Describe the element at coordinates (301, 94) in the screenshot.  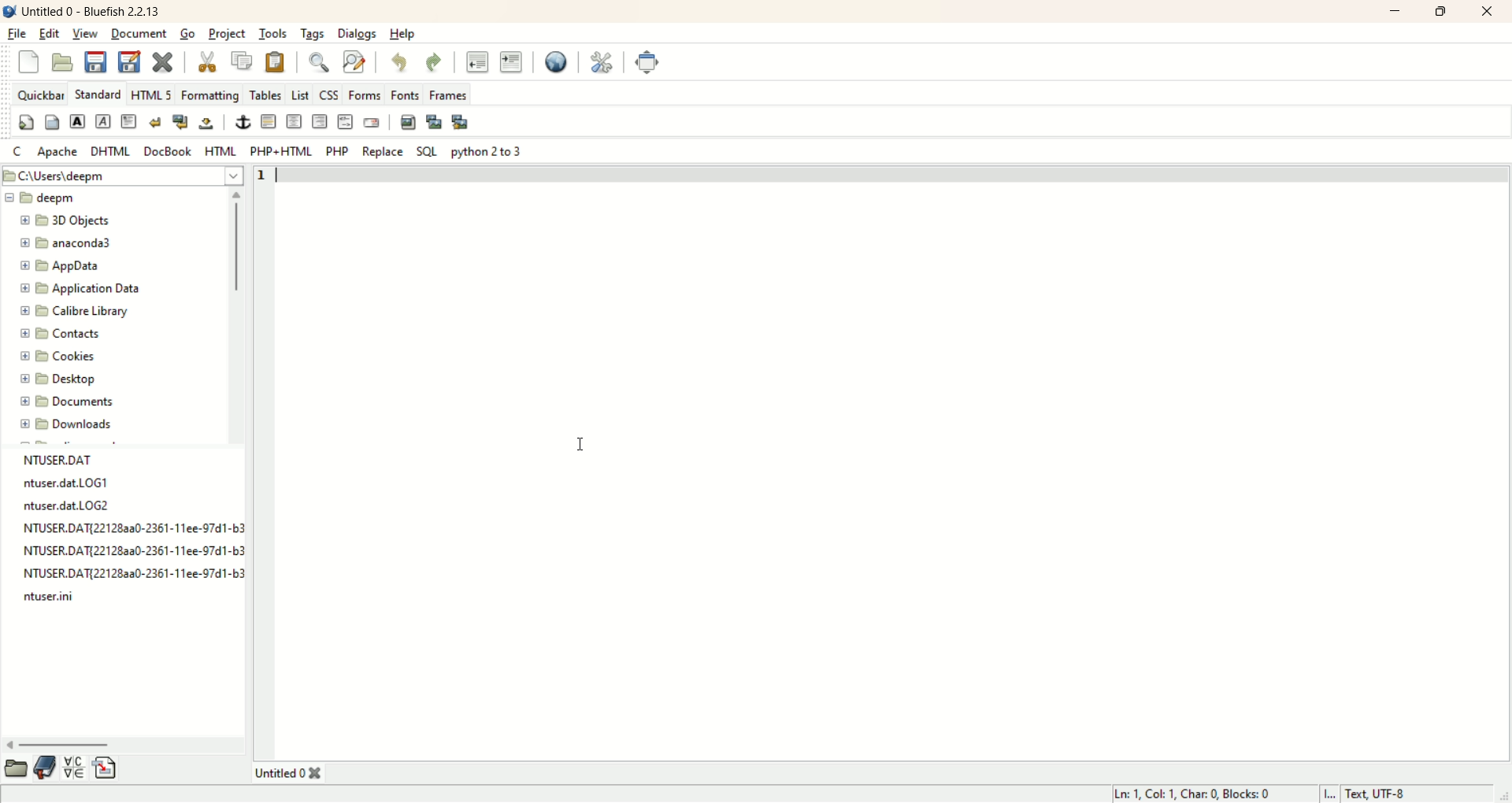
I see `list` at that location.